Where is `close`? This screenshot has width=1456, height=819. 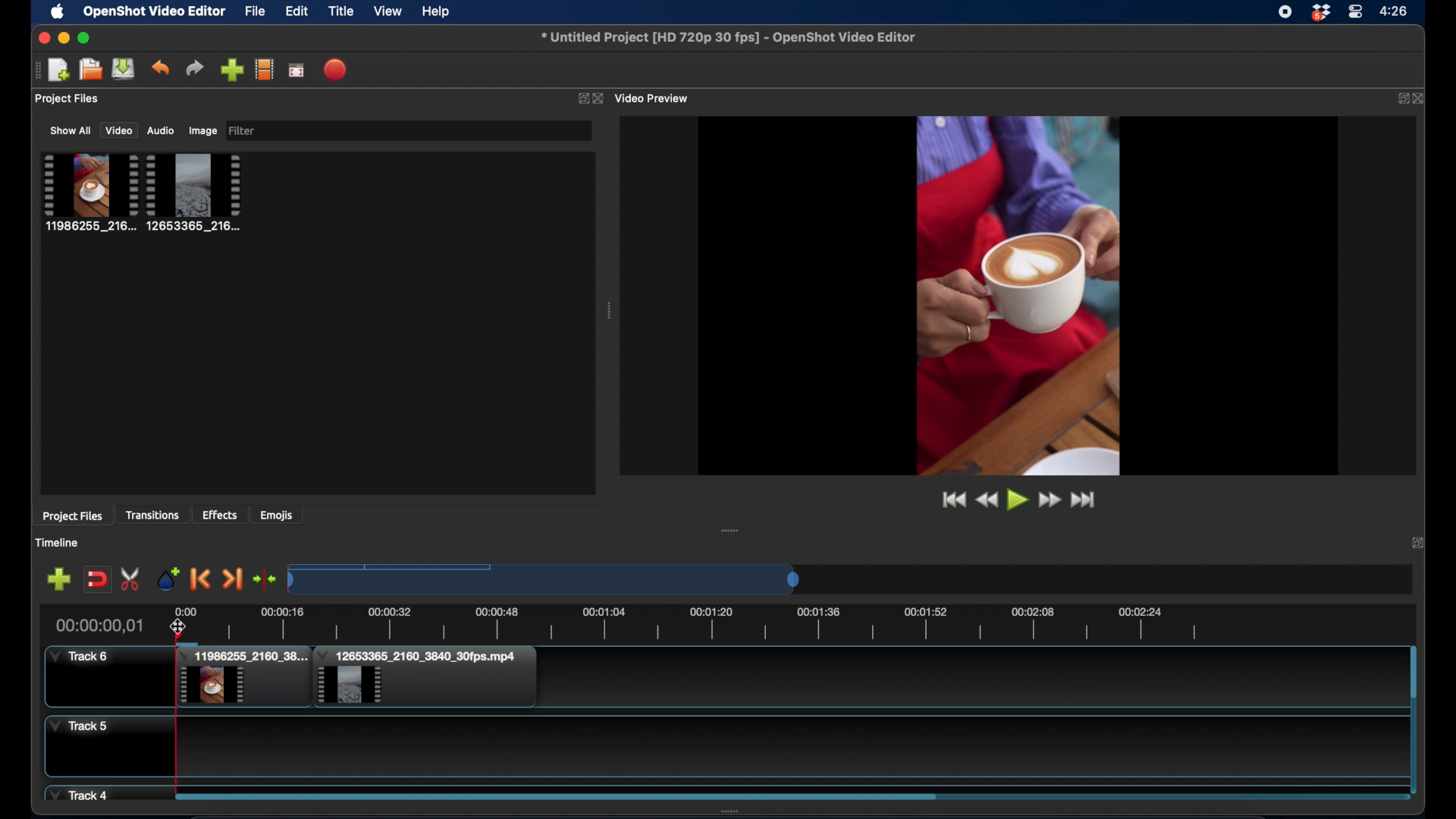
close is located at coordinates (1422, 98).